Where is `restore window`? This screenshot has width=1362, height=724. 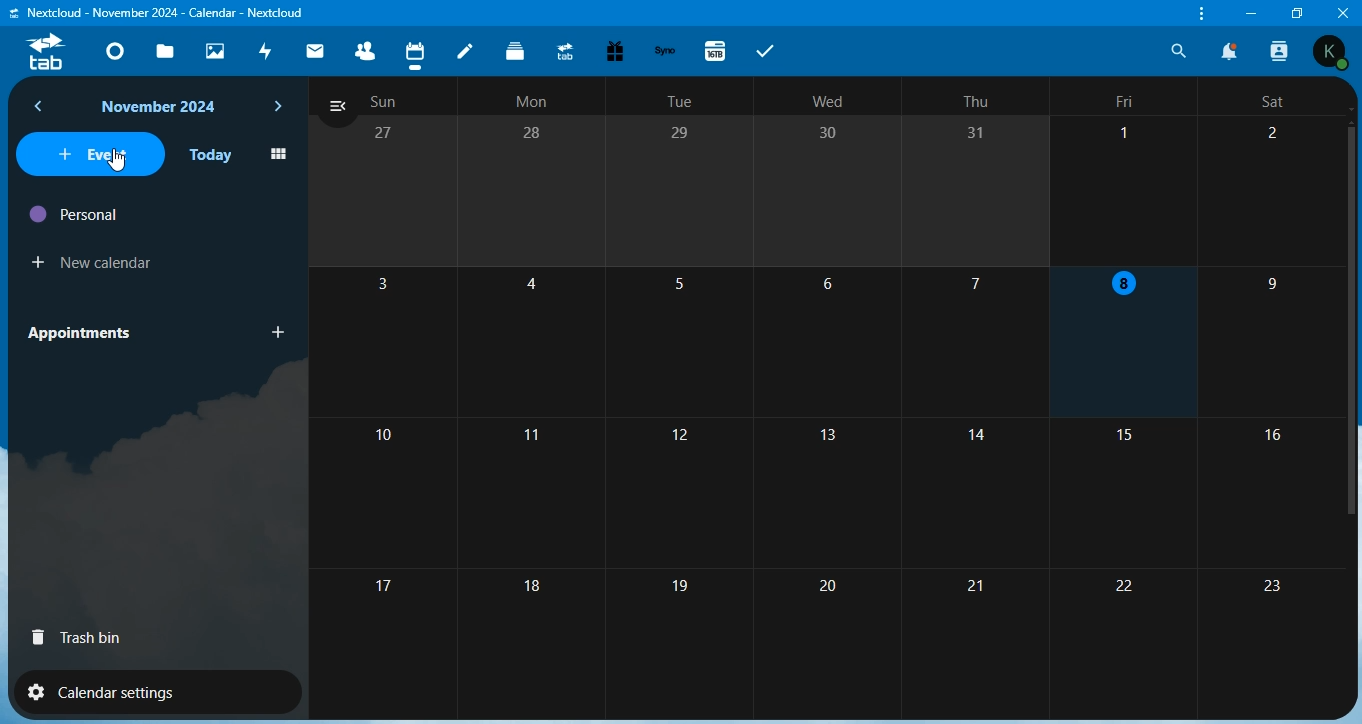 restore window is located at coordinates (1298, 12).